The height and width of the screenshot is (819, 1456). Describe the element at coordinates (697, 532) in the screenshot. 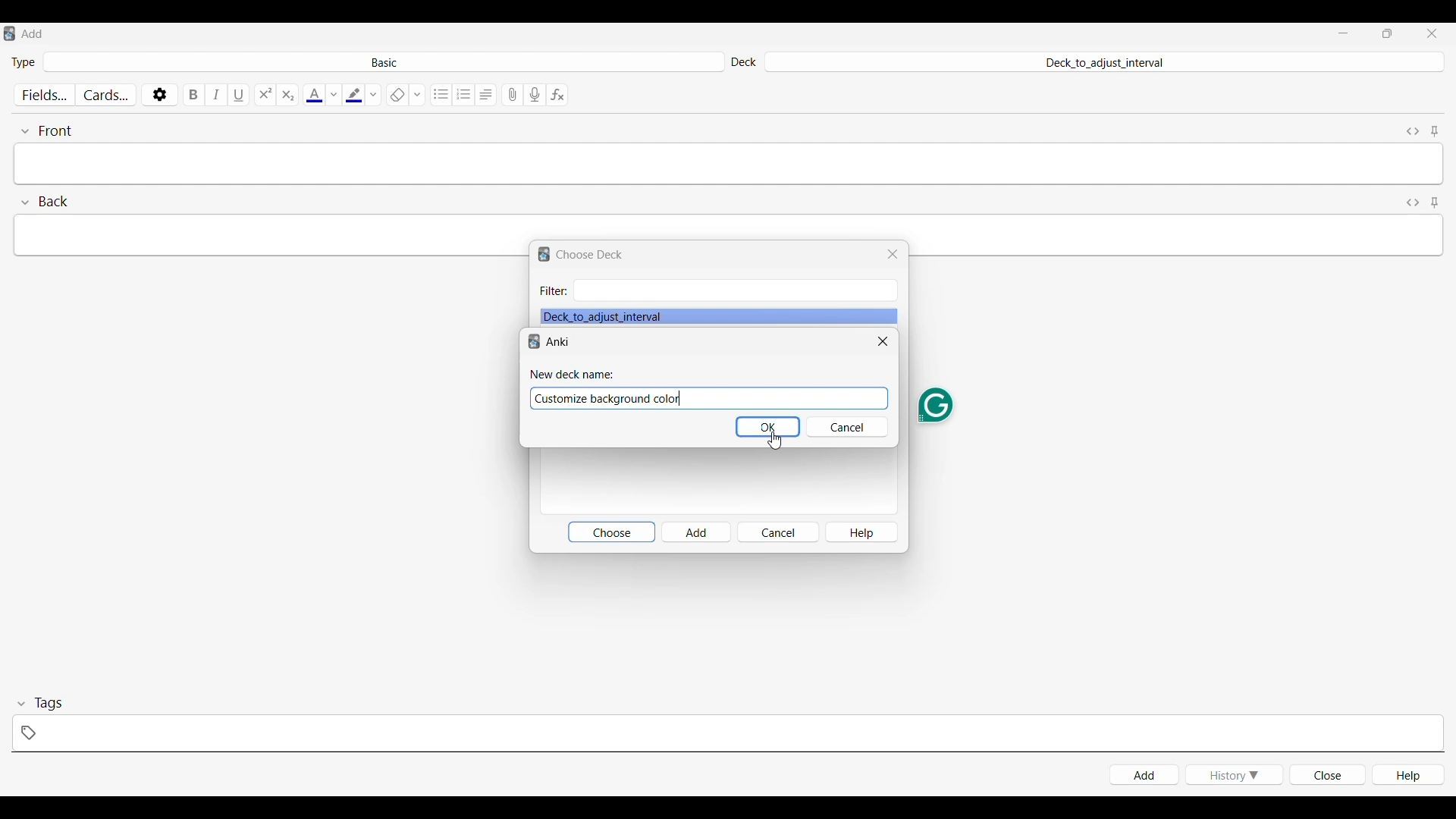

I see `Add` at that location.